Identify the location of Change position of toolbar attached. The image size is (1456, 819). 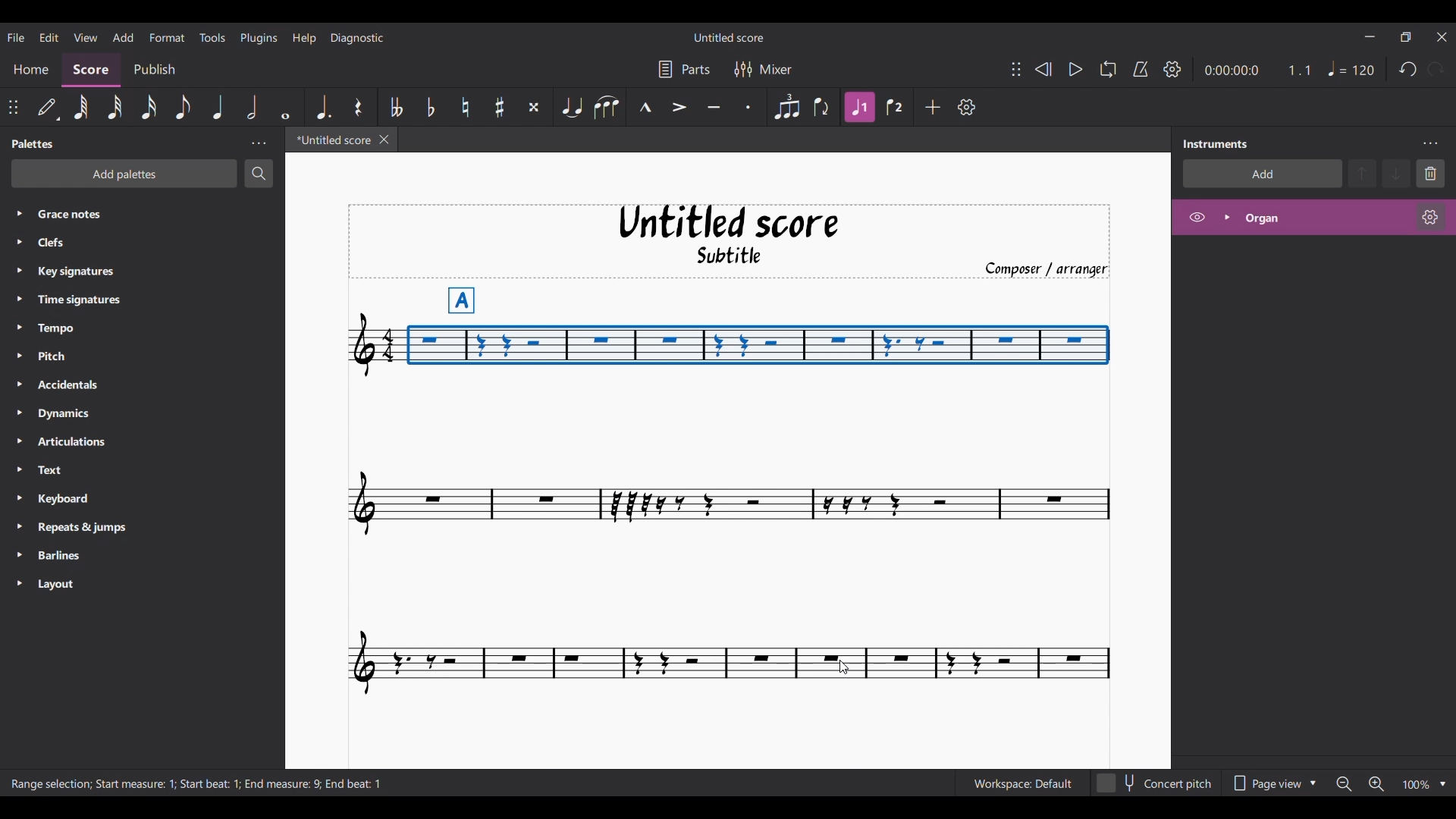
(1016, 69).